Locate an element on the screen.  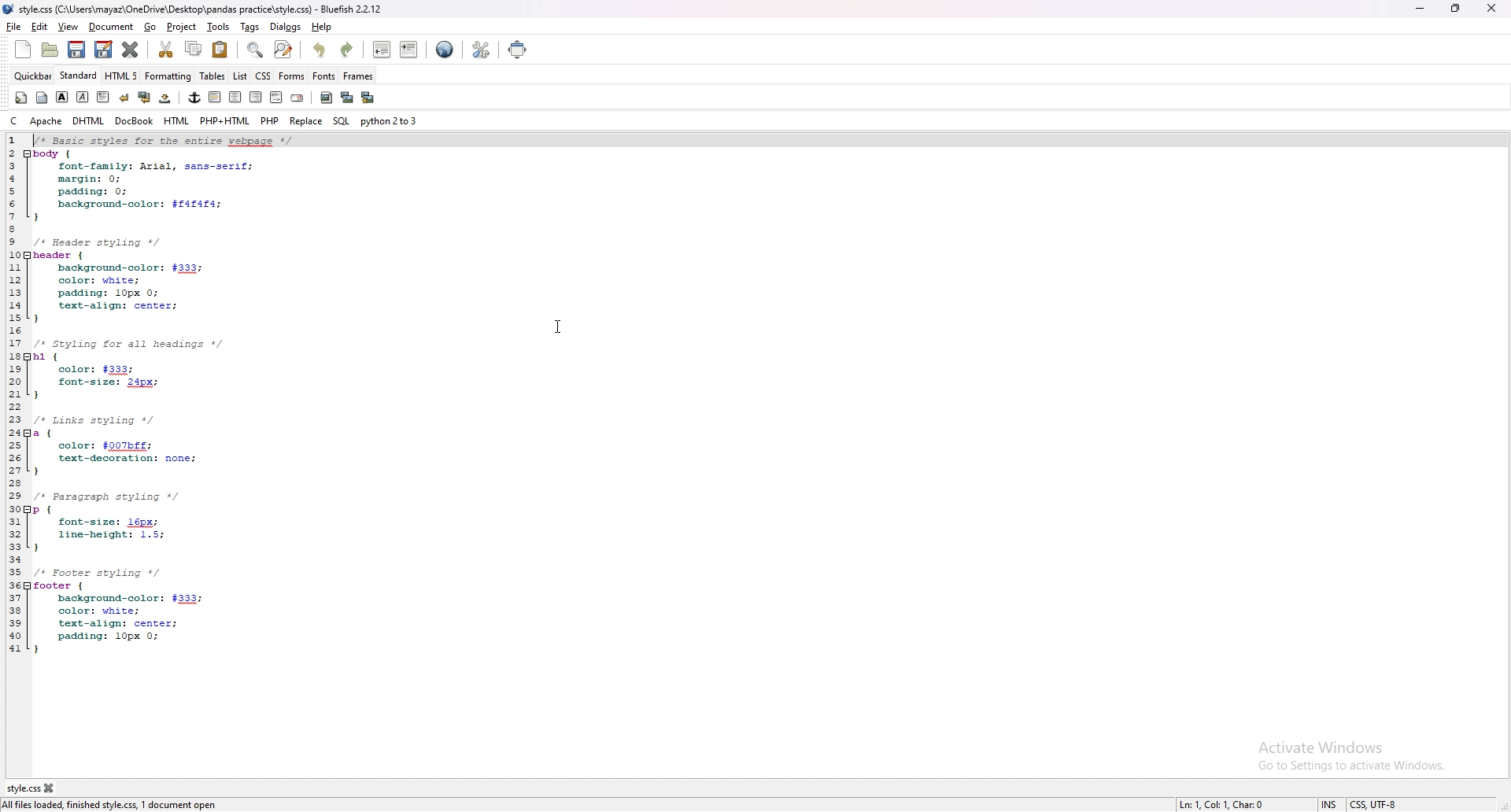
break is located at coordinates (124, 98).